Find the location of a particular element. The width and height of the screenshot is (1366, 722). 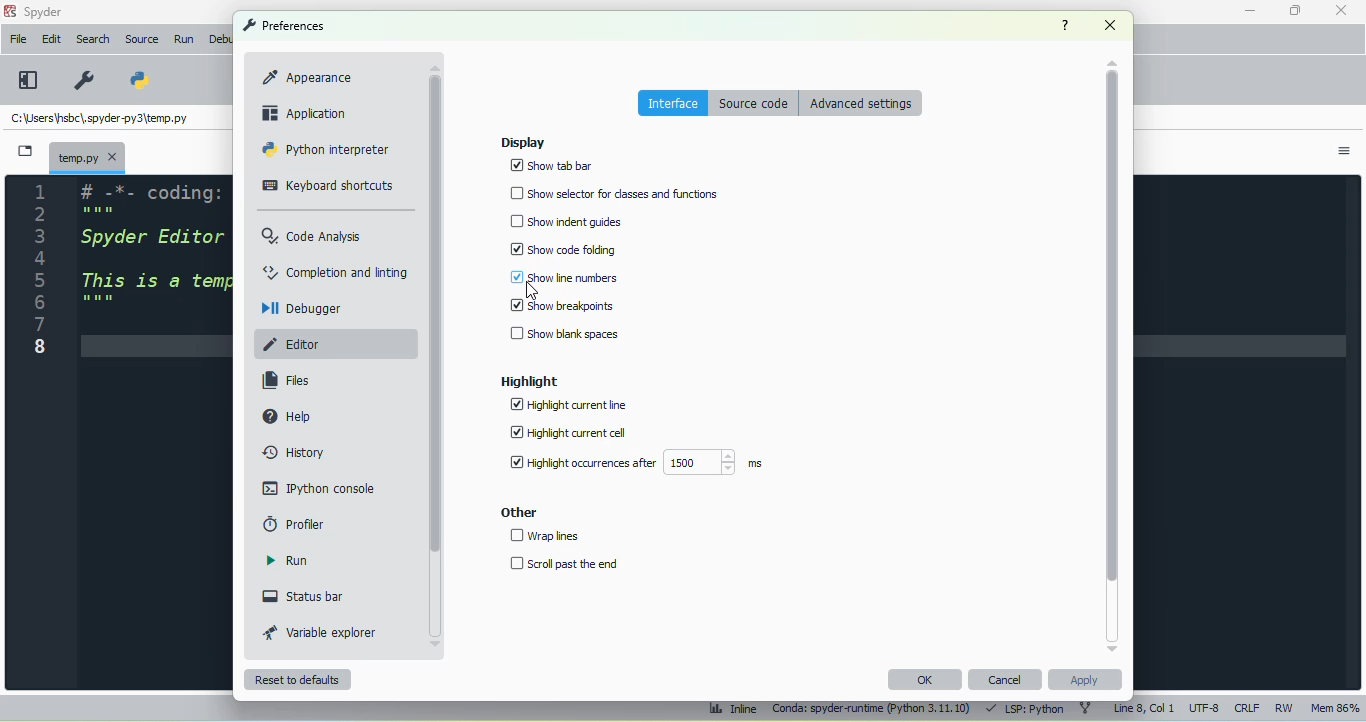

preferences  is located at coordinates (82, 79).